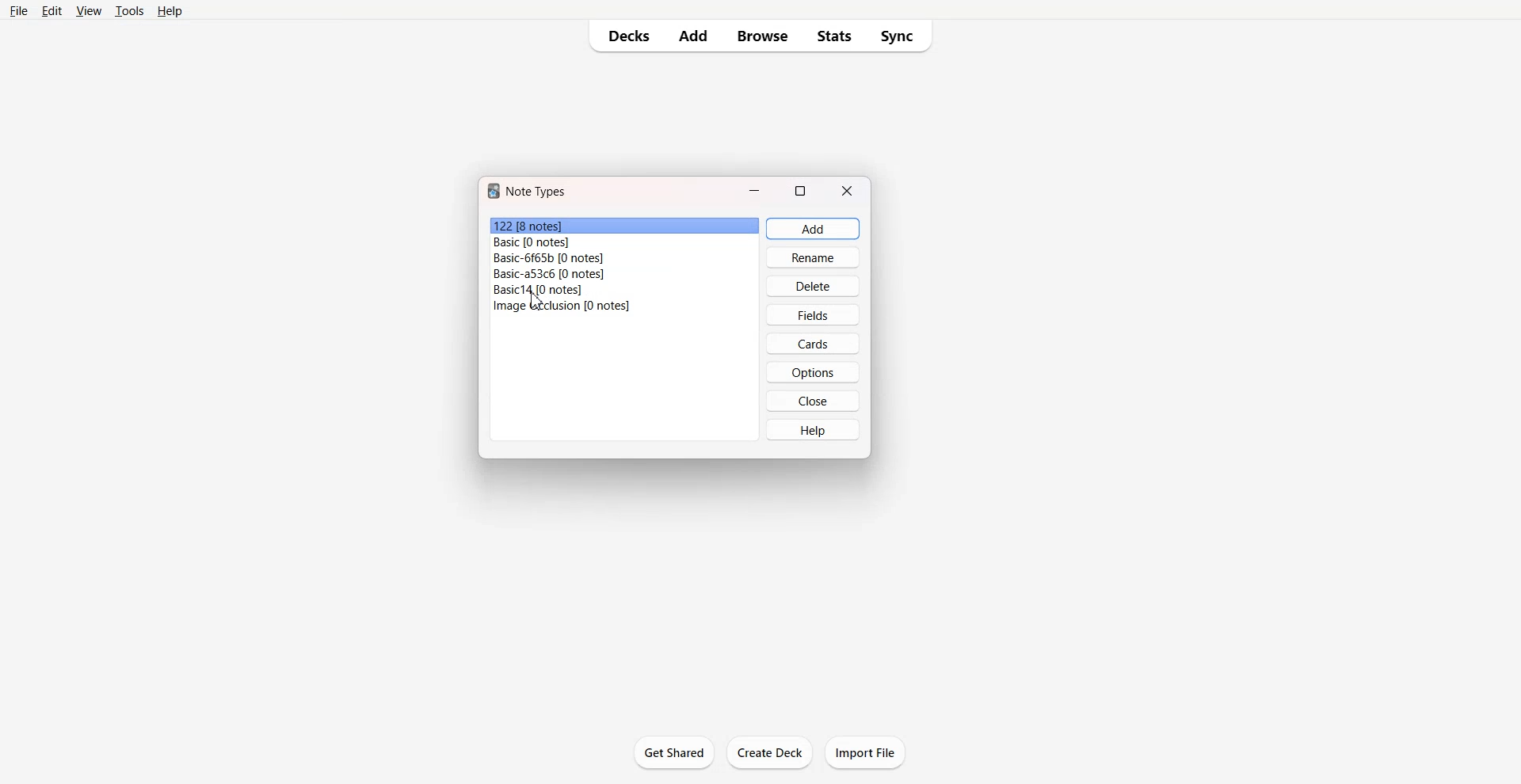 This screenshot has height=784, width=1521. Describe the element at coordinates (801, 189) in the screenshot. I see `Maximize` at that location.